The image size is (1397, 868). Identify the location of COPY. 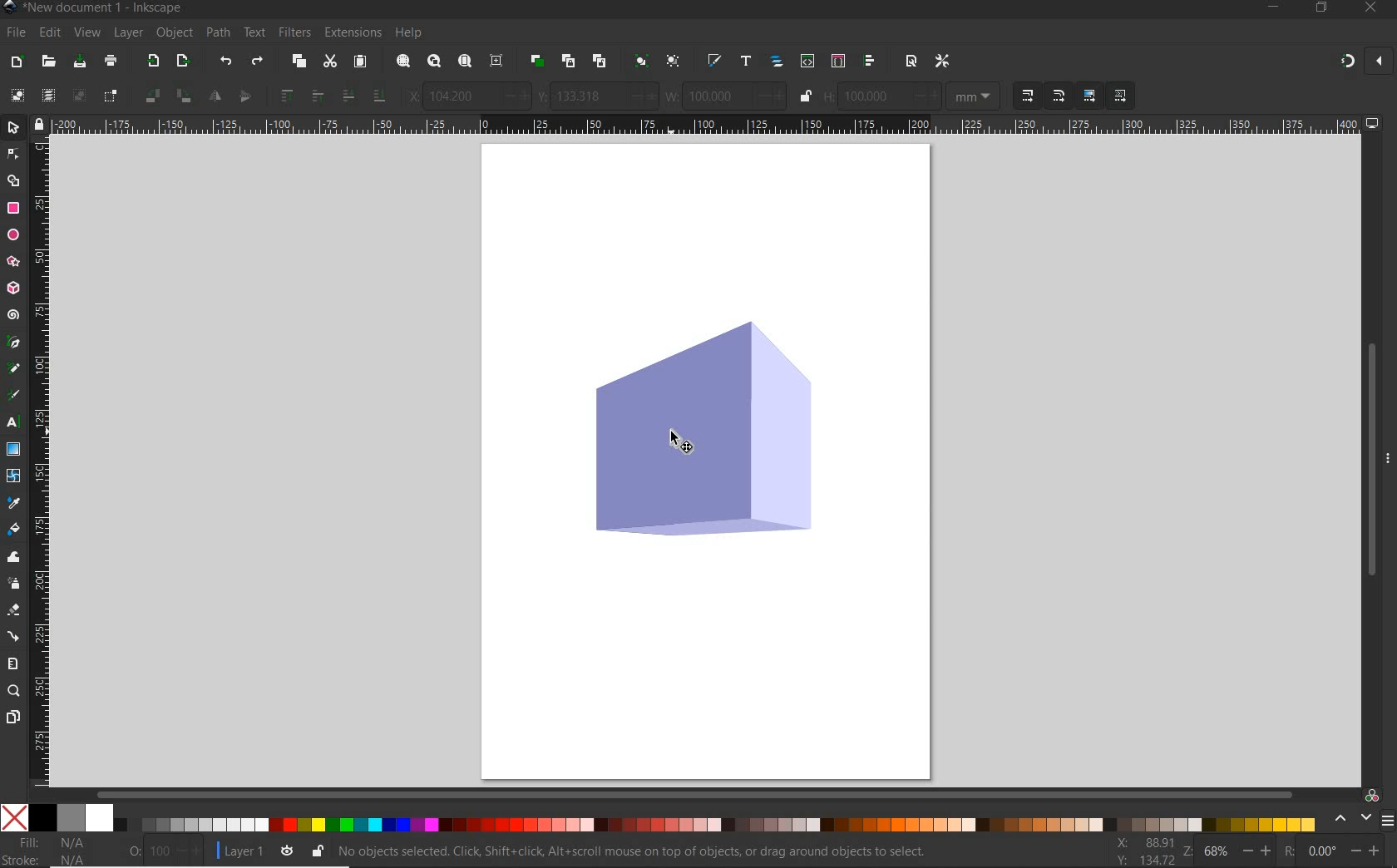
(300, 63).